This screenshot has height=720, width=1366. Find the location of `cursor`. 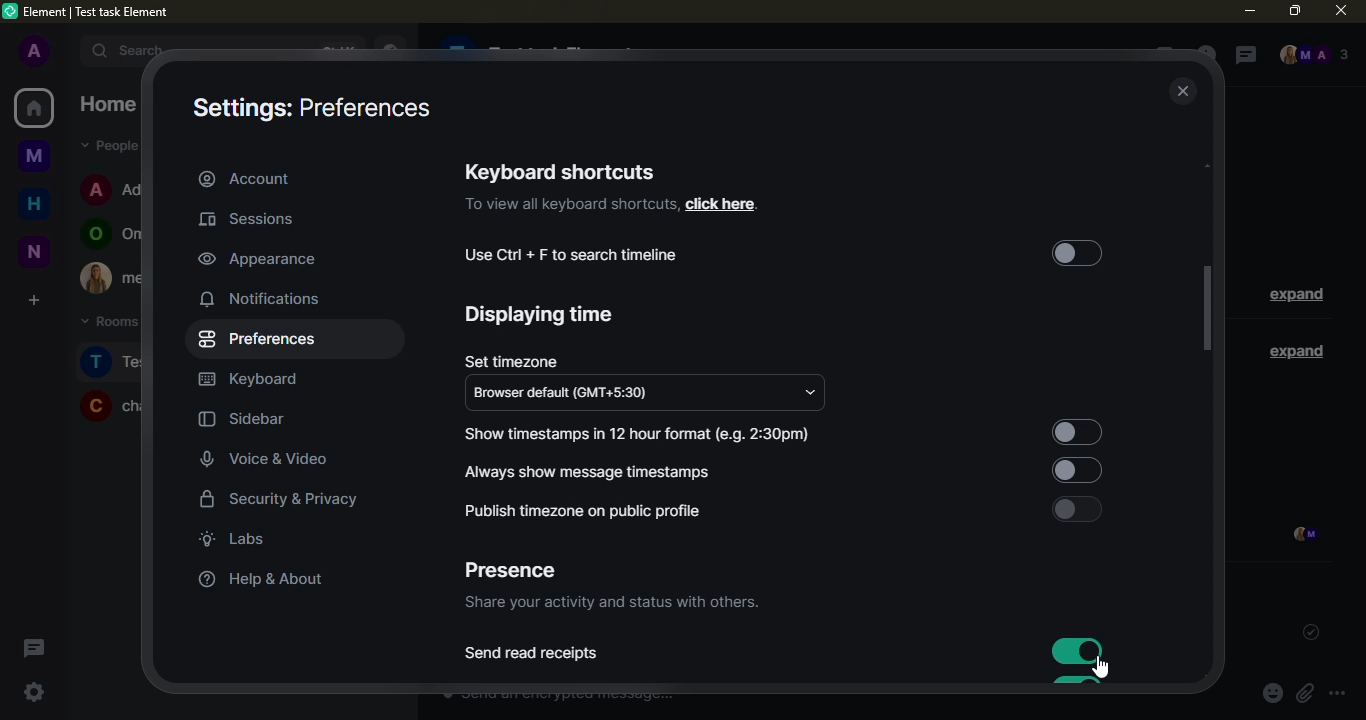

cursor is located at coordinates (1103, 668).